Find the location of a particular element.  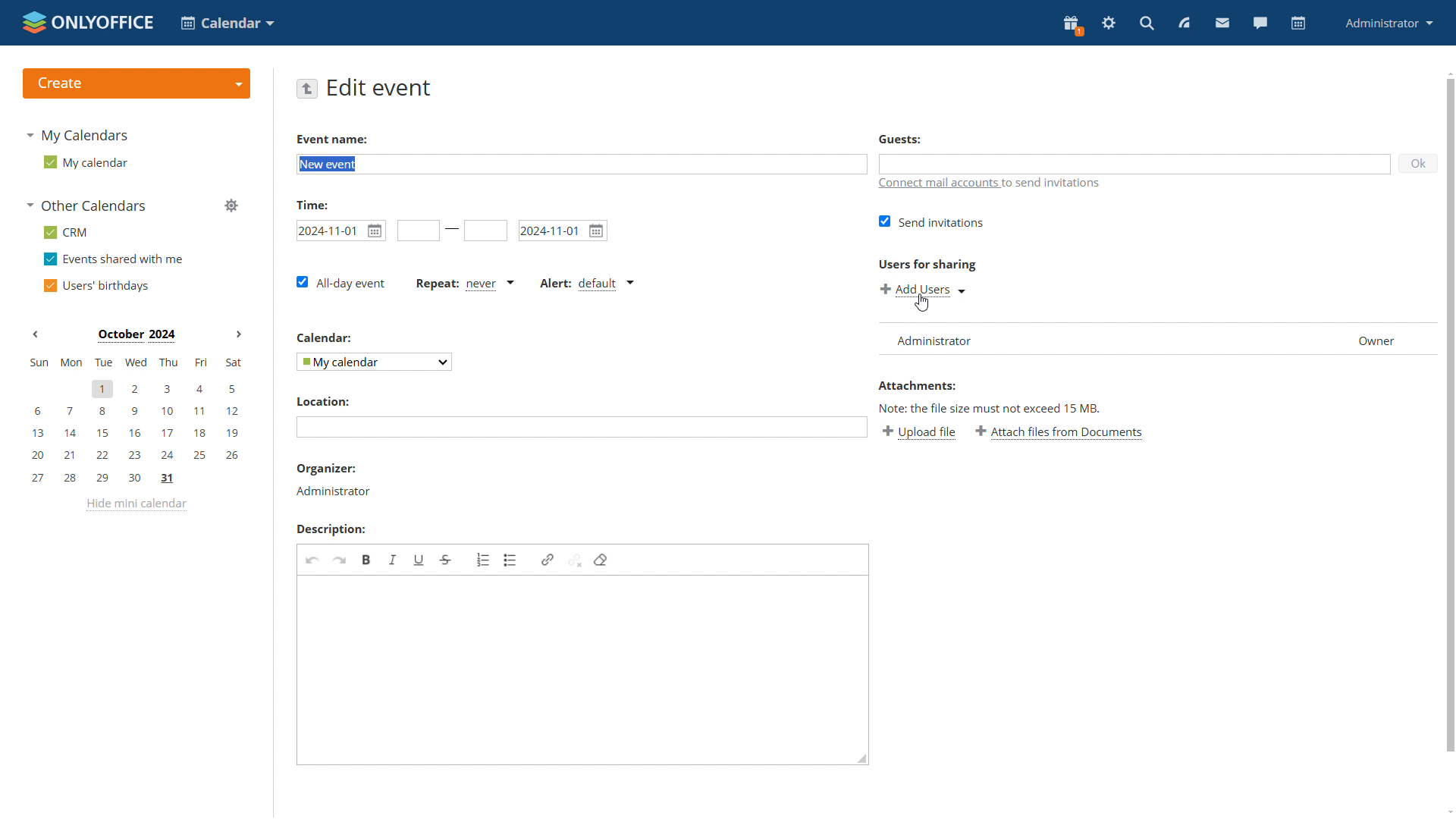

Users for sharing is located at coordinates (927, 264).